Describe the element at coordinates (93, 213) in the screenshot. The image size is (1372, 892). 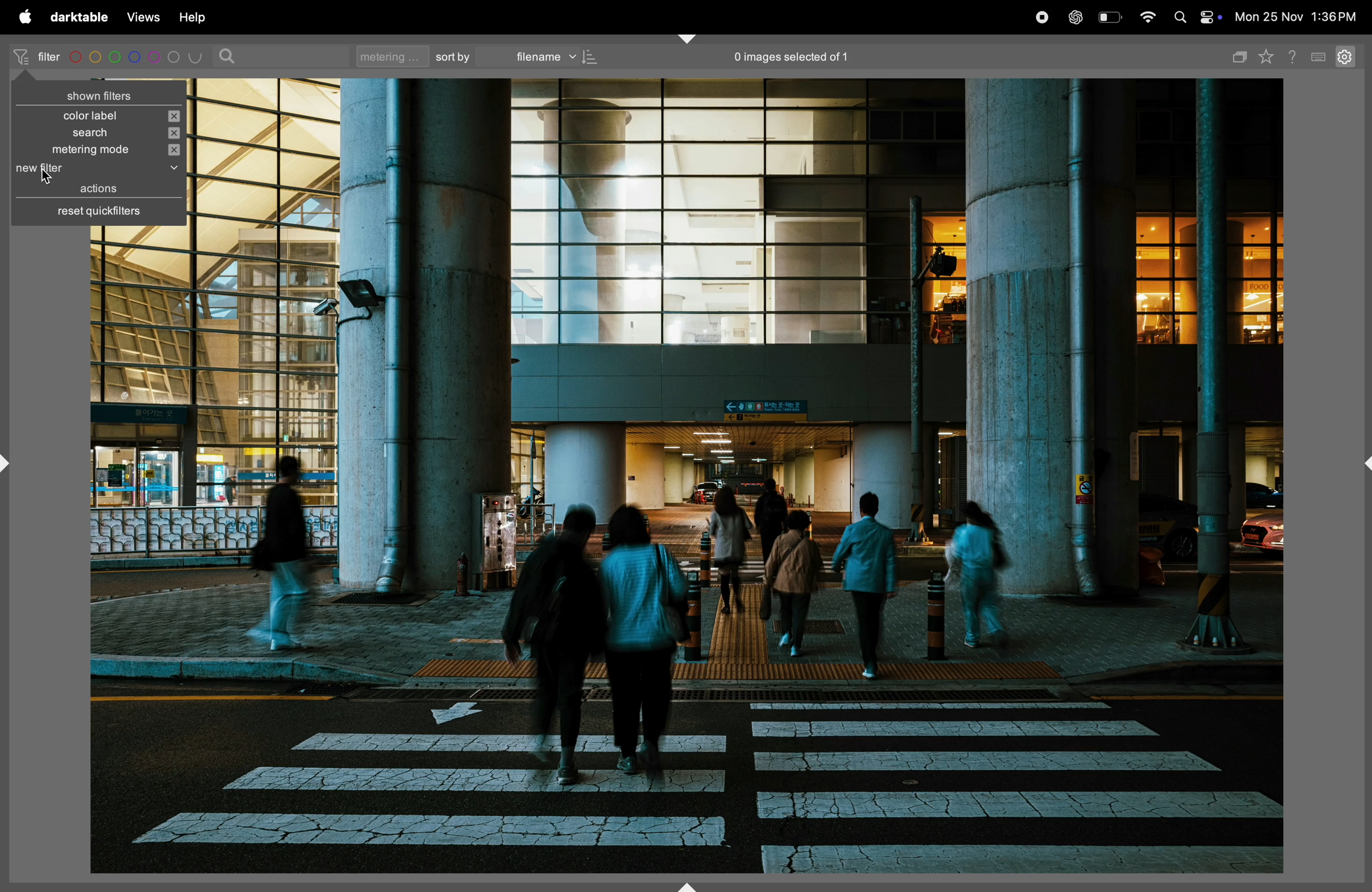
I see `reset quick filters` at that location.